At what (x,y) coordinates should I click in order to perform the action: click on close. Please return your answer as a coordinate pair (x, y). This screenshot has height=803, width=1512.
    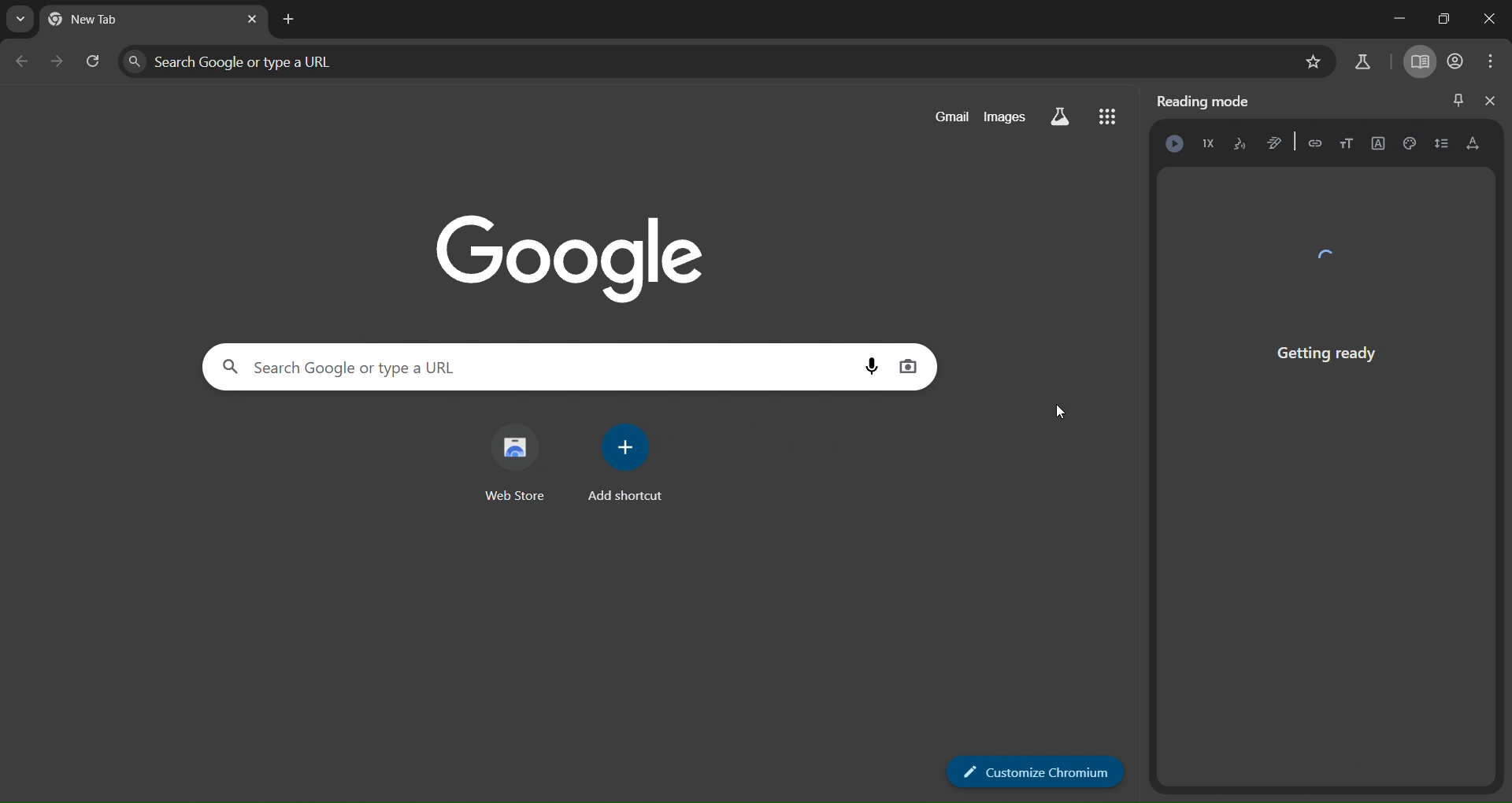
    Looking at the image, I should click on (1488, 102).